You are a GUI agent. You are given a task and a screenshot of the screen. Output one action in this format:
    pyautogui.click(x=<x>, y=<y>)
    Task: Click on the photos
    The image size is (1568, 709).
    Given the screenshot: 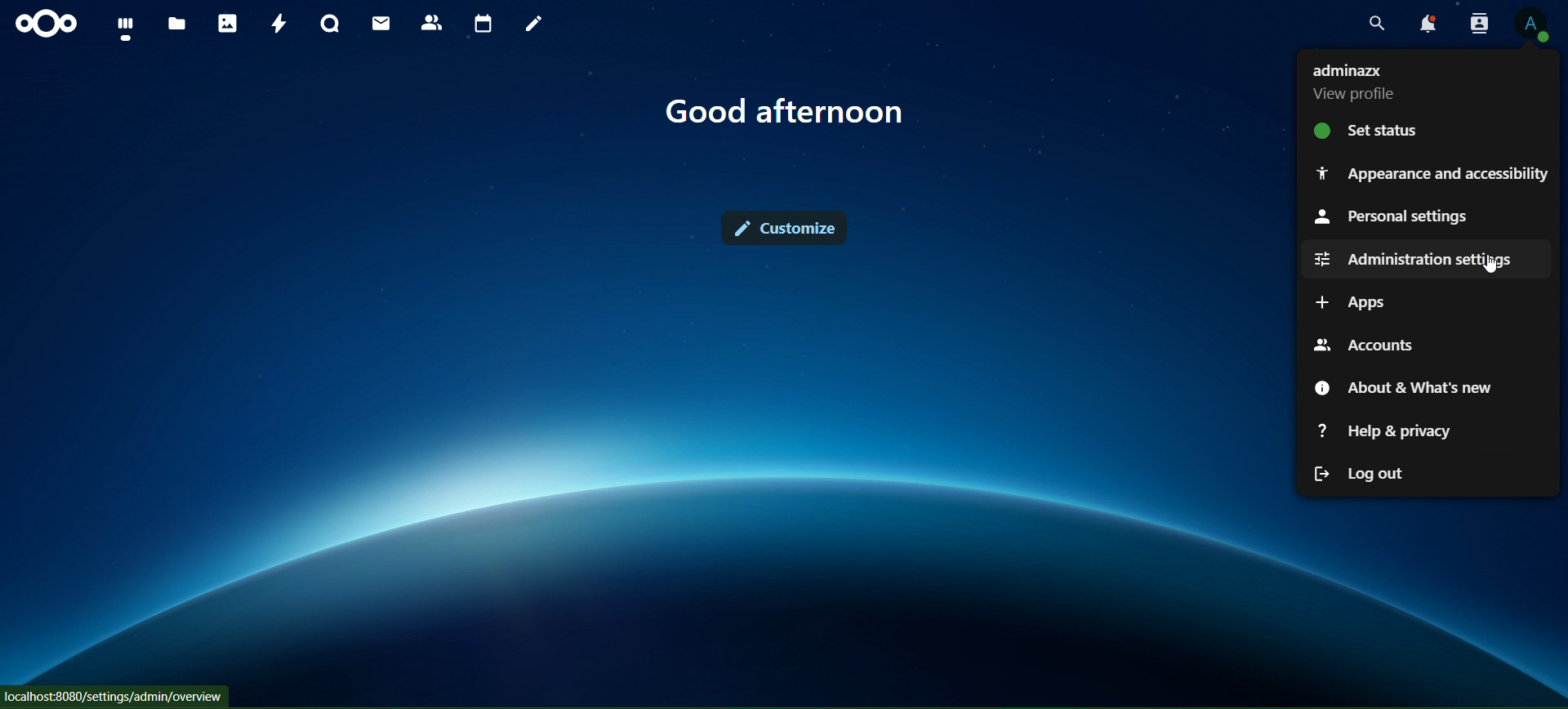 What is the action you would take?
    pyautogui.click(x=226, y=25)
    